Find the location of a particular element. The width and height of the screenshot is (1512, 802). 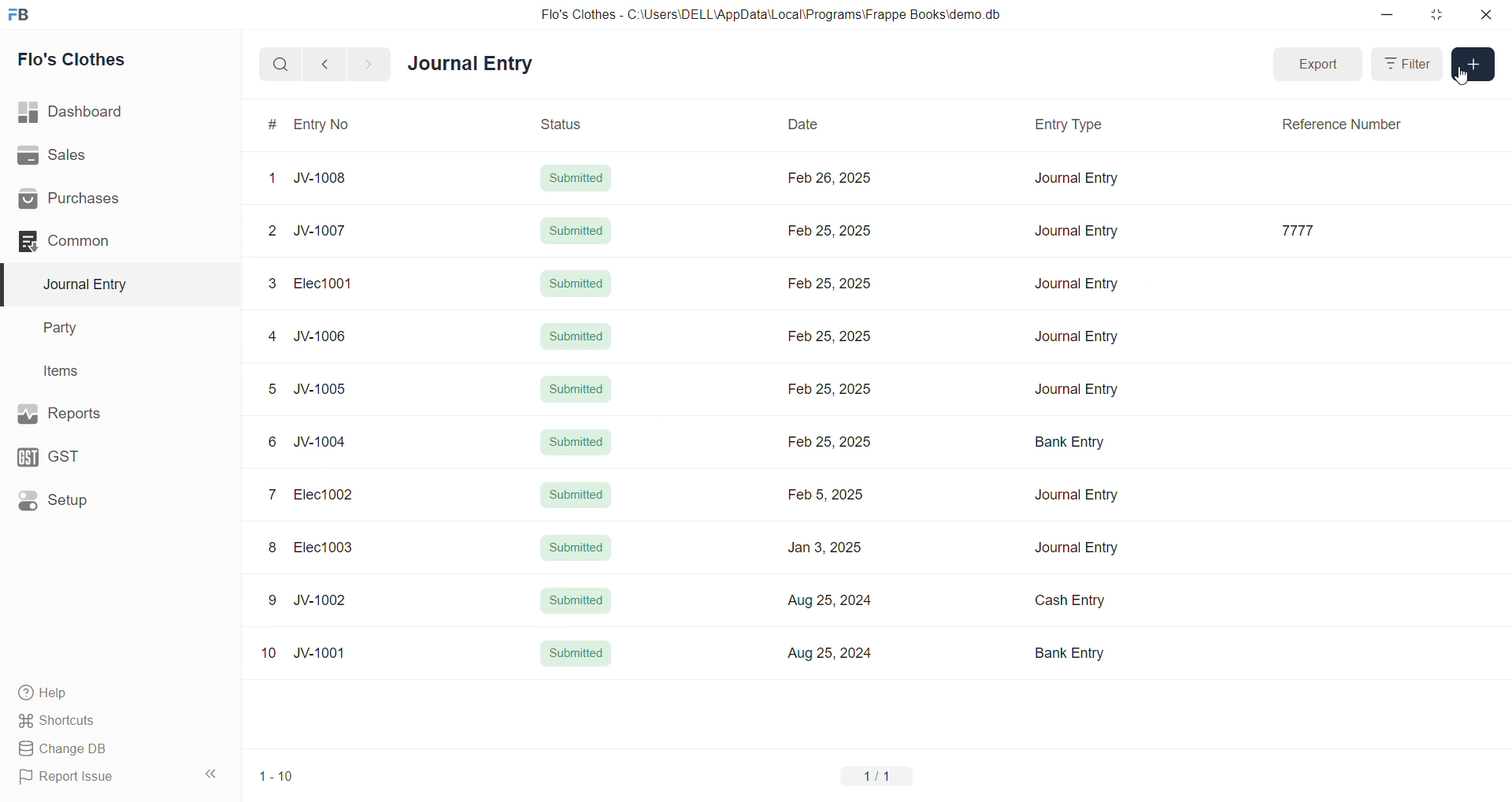

resize is located at coordinates (1436, 13).